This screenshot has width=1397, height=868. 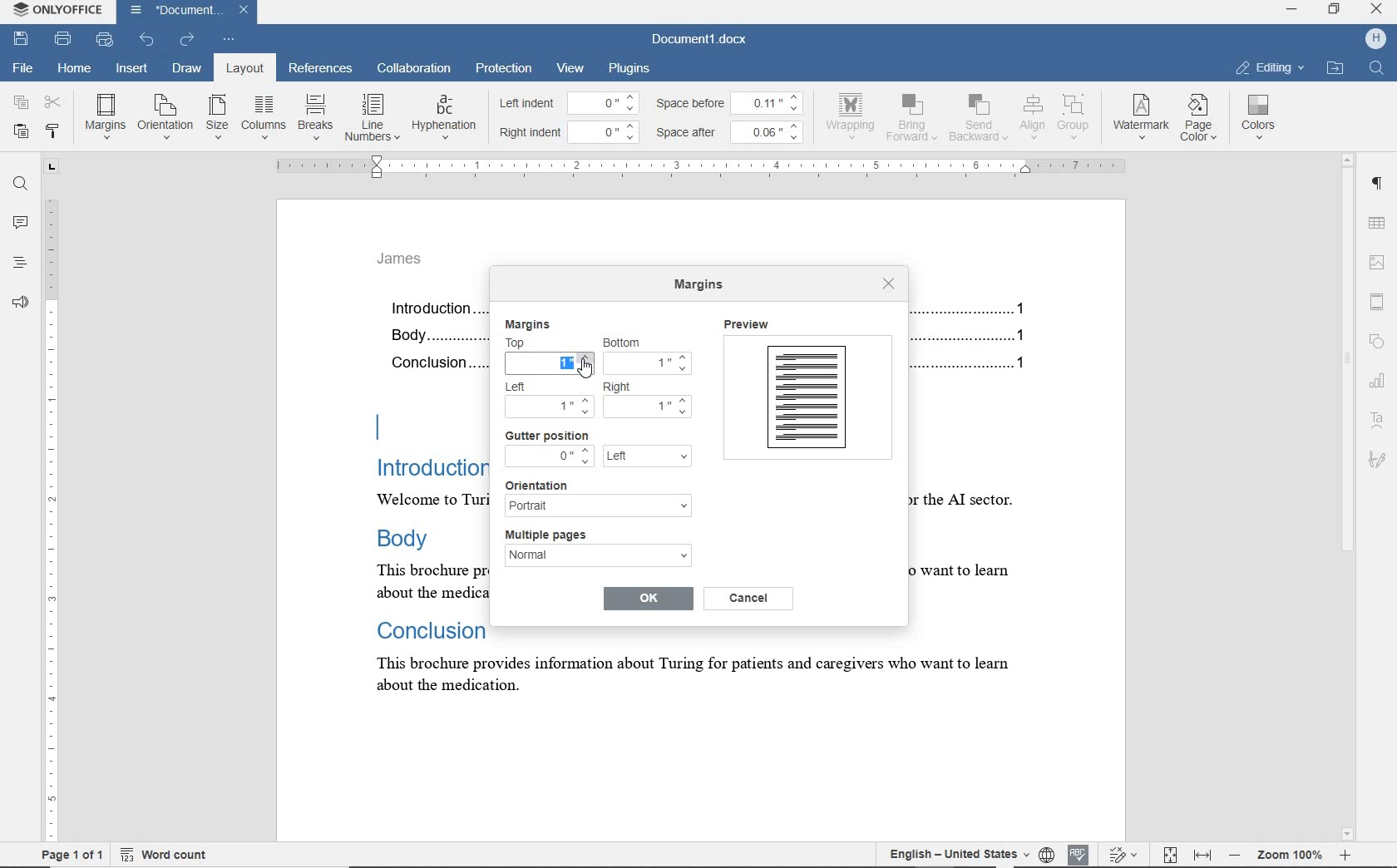 What do you see at coordinates (531, 133) in the screenshot?
I see `right indent` at bounding box center [531, 133].